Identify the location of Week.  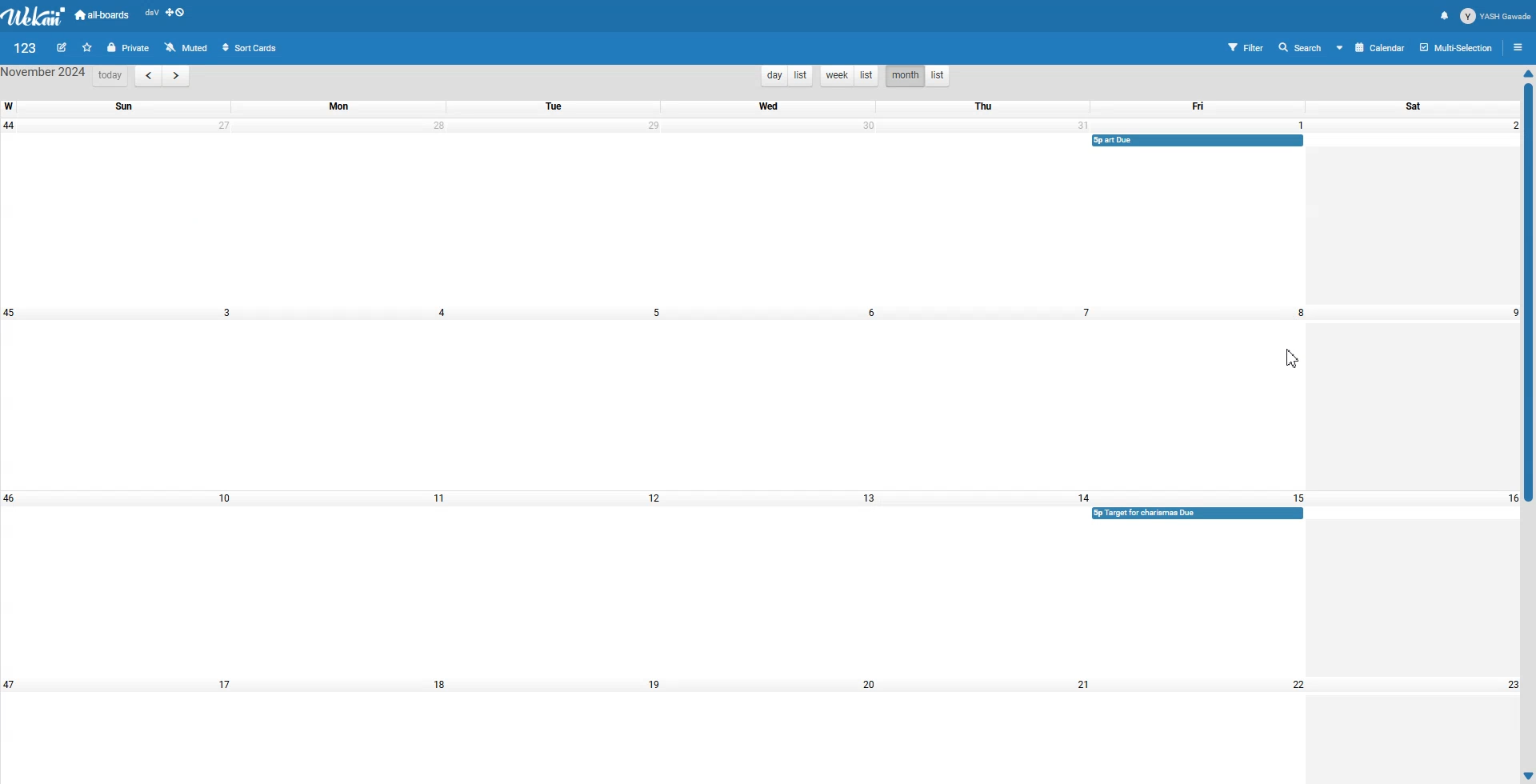
(835, 76).